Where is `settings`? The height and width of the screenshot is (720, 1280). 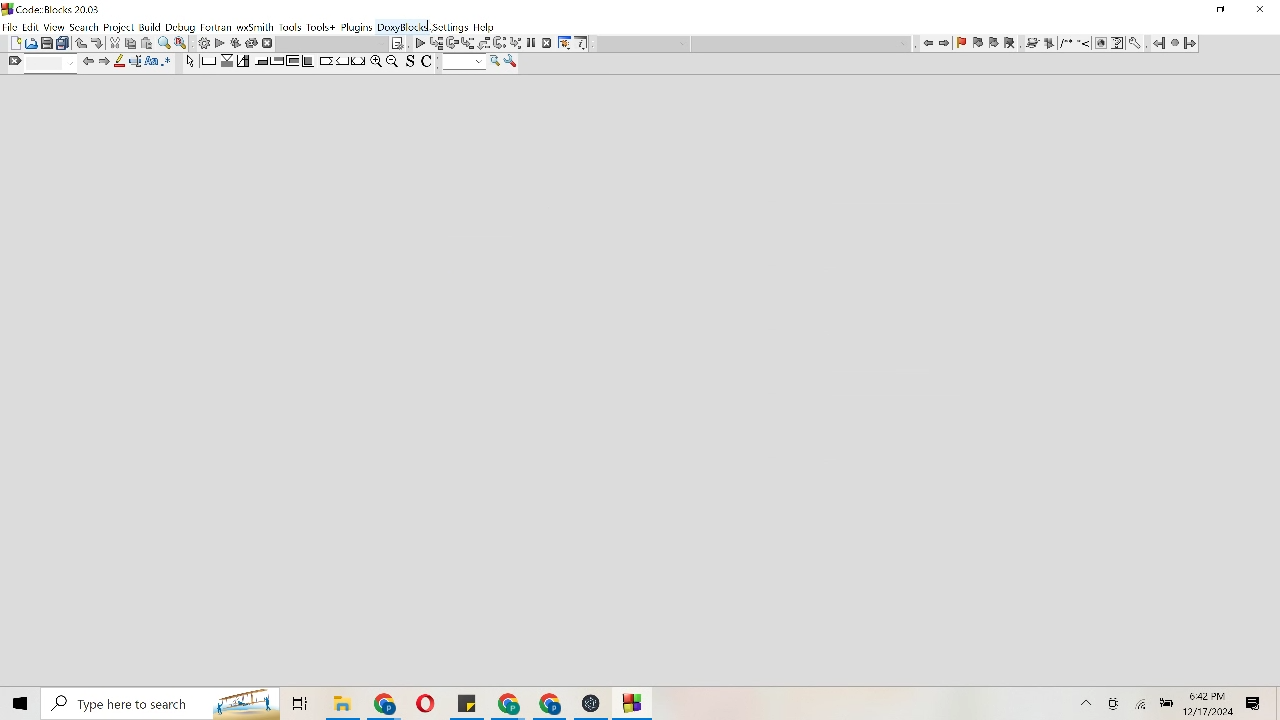 settings is located at coordinates (451, 28).